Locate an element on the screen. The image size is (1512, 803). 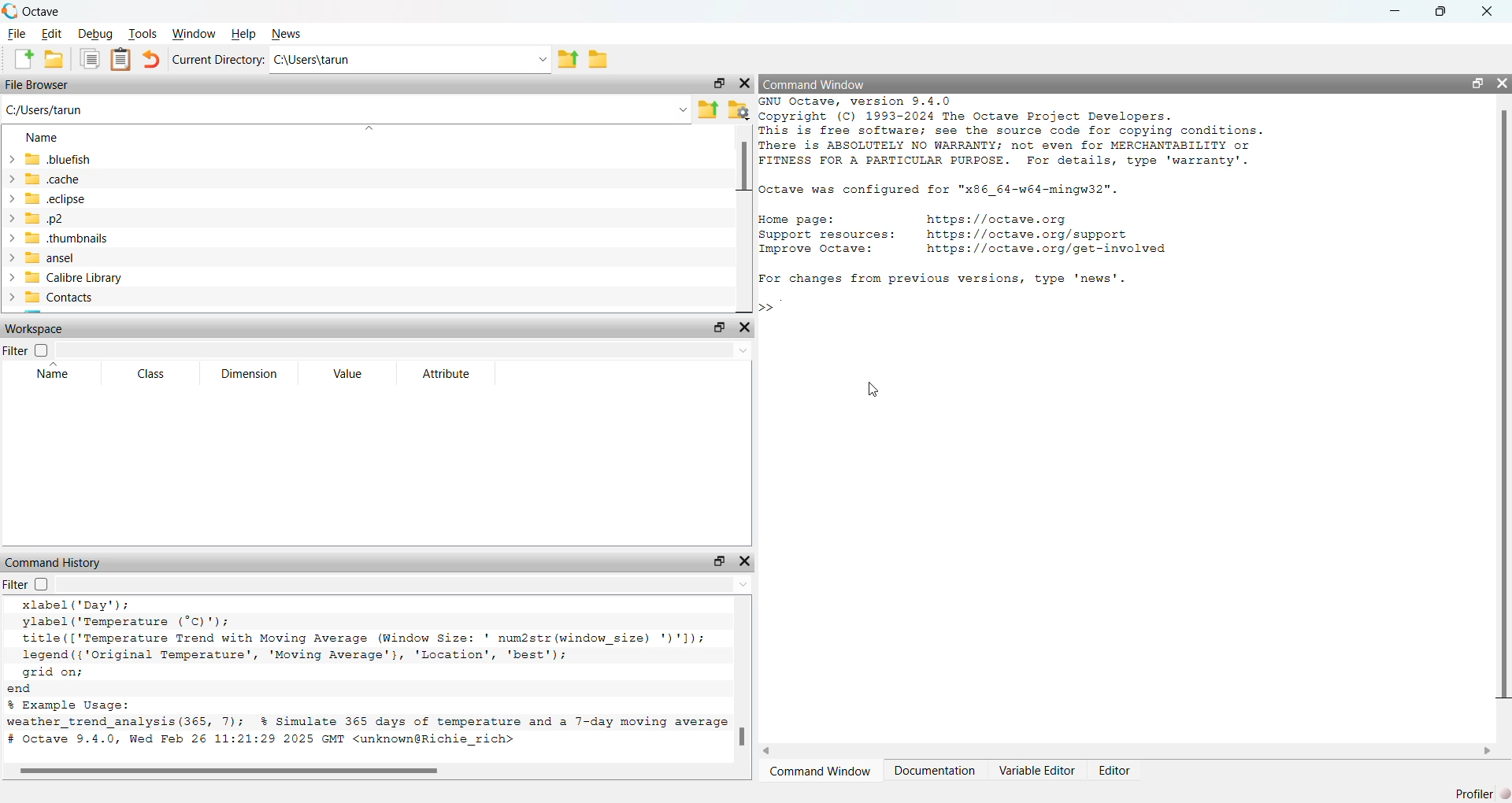
scroll bar is located at coordinates (750, 676).